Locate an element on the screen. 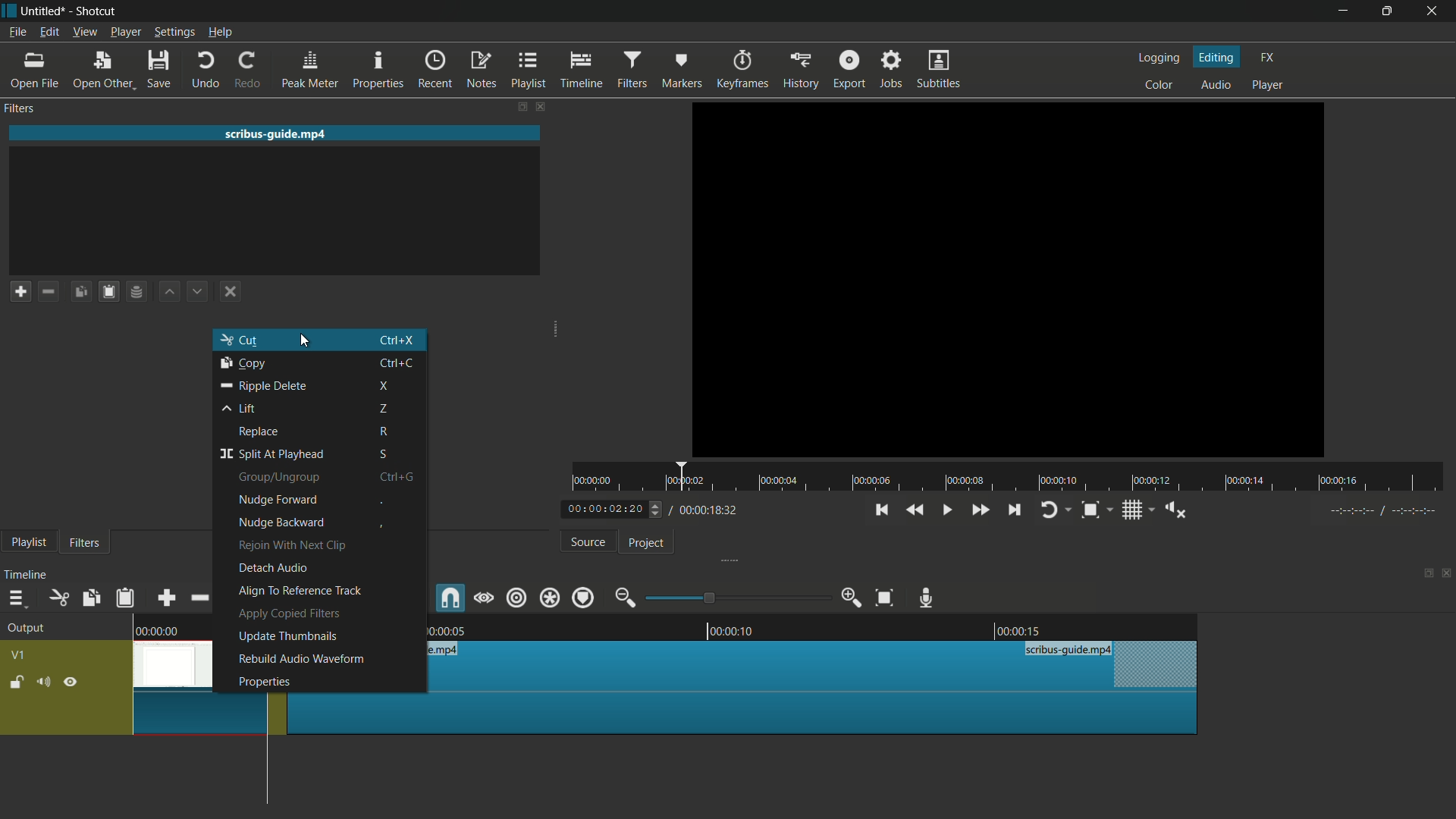  lock is located at coordinates (16, 683).